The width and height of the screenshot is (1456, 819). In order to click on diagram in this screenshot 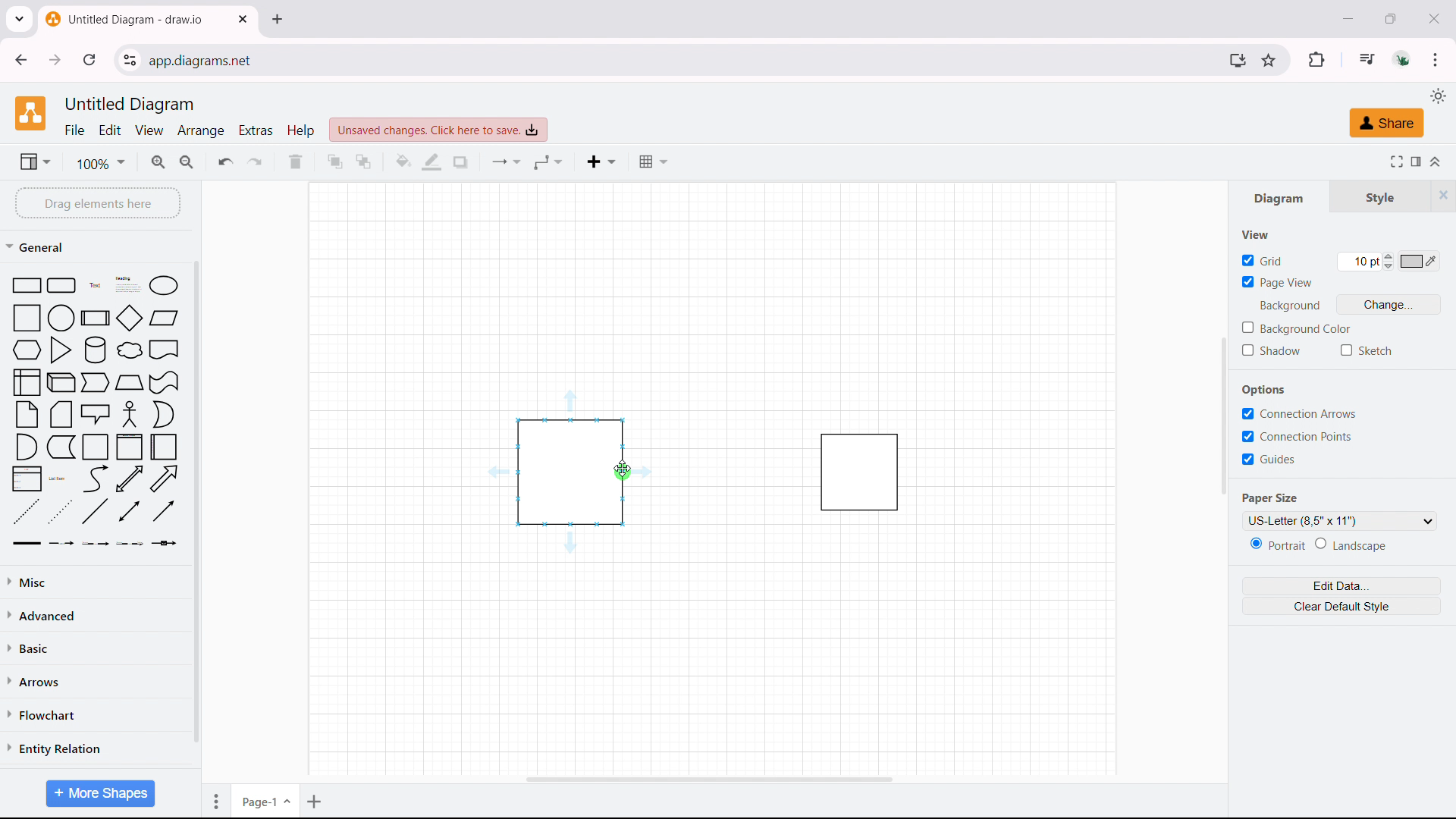, I will do `click(1282, 199)`.